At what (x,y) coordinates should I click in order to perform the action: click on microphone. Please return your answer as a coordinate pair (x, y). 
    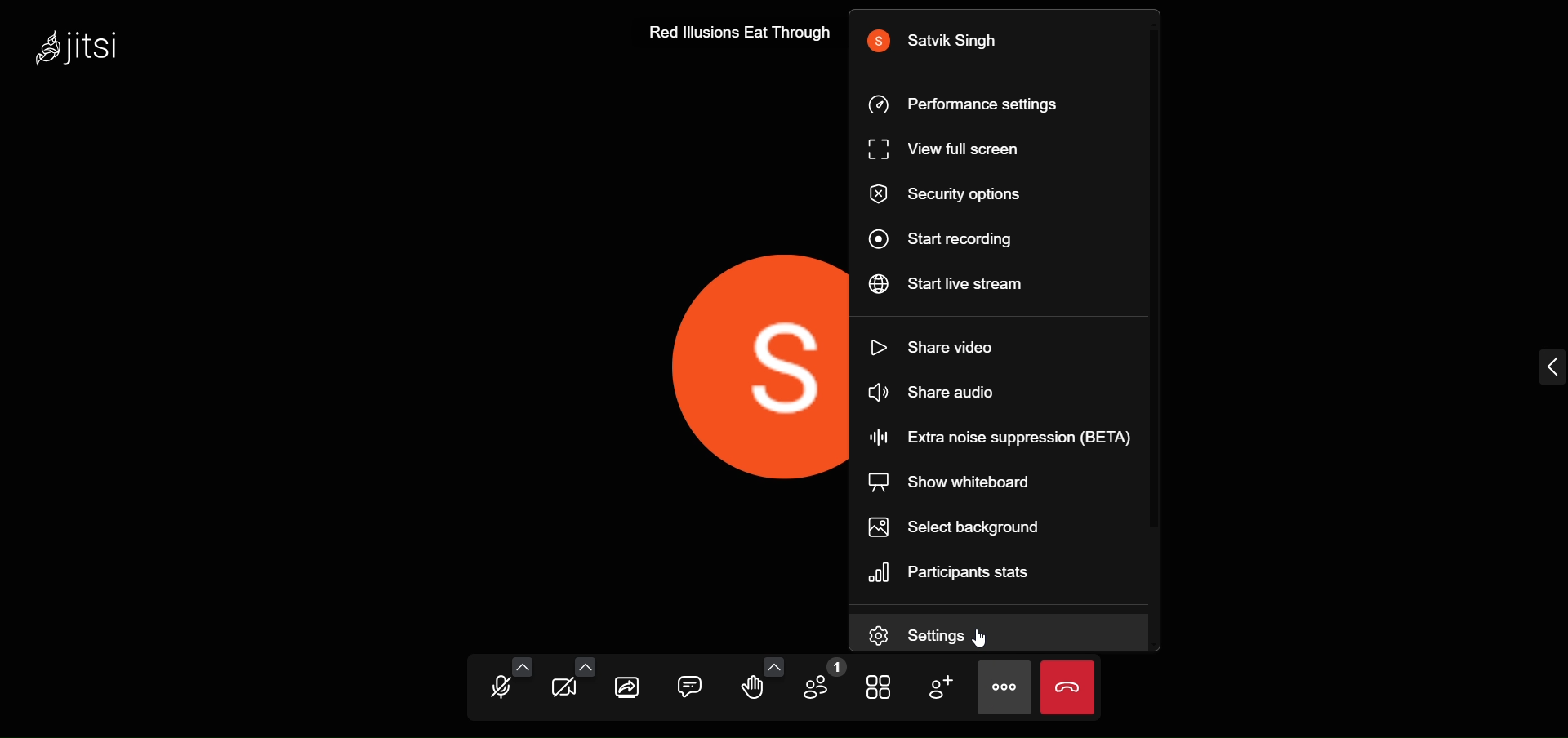
    Looking at the image, I should click on (499, 688).